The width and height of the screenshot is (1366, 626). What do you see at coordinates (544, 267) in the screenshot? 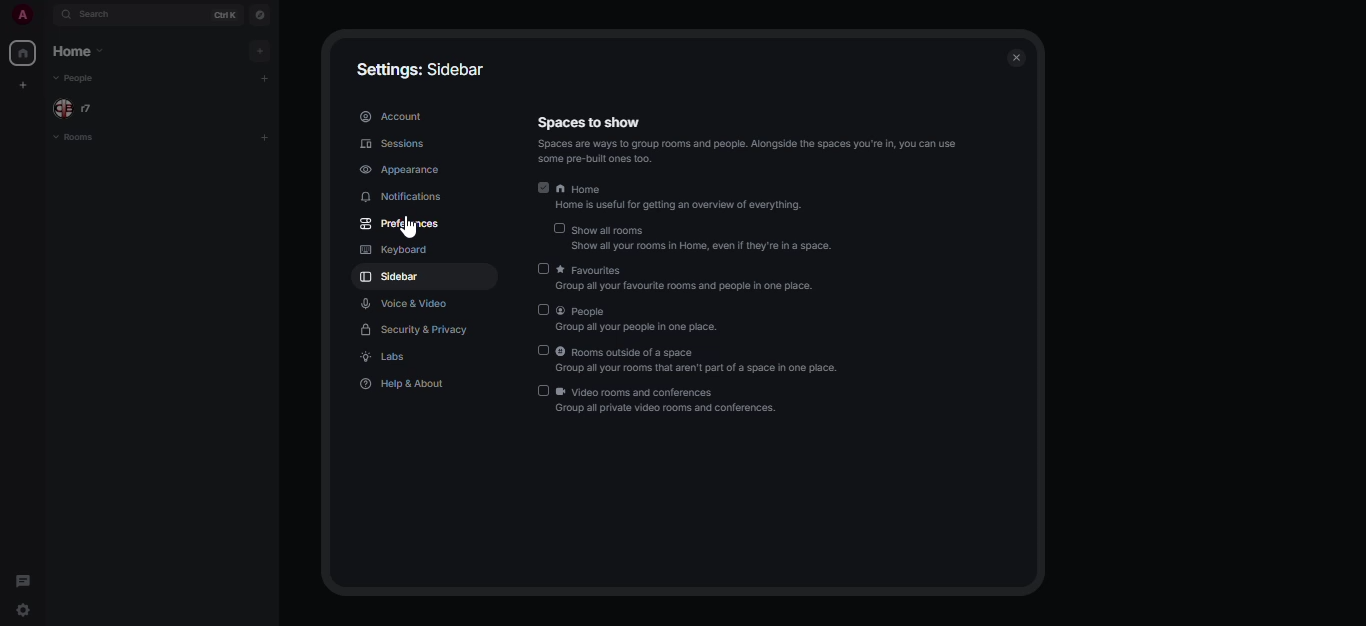
I see `disabled` at bounding box center [544, 267].